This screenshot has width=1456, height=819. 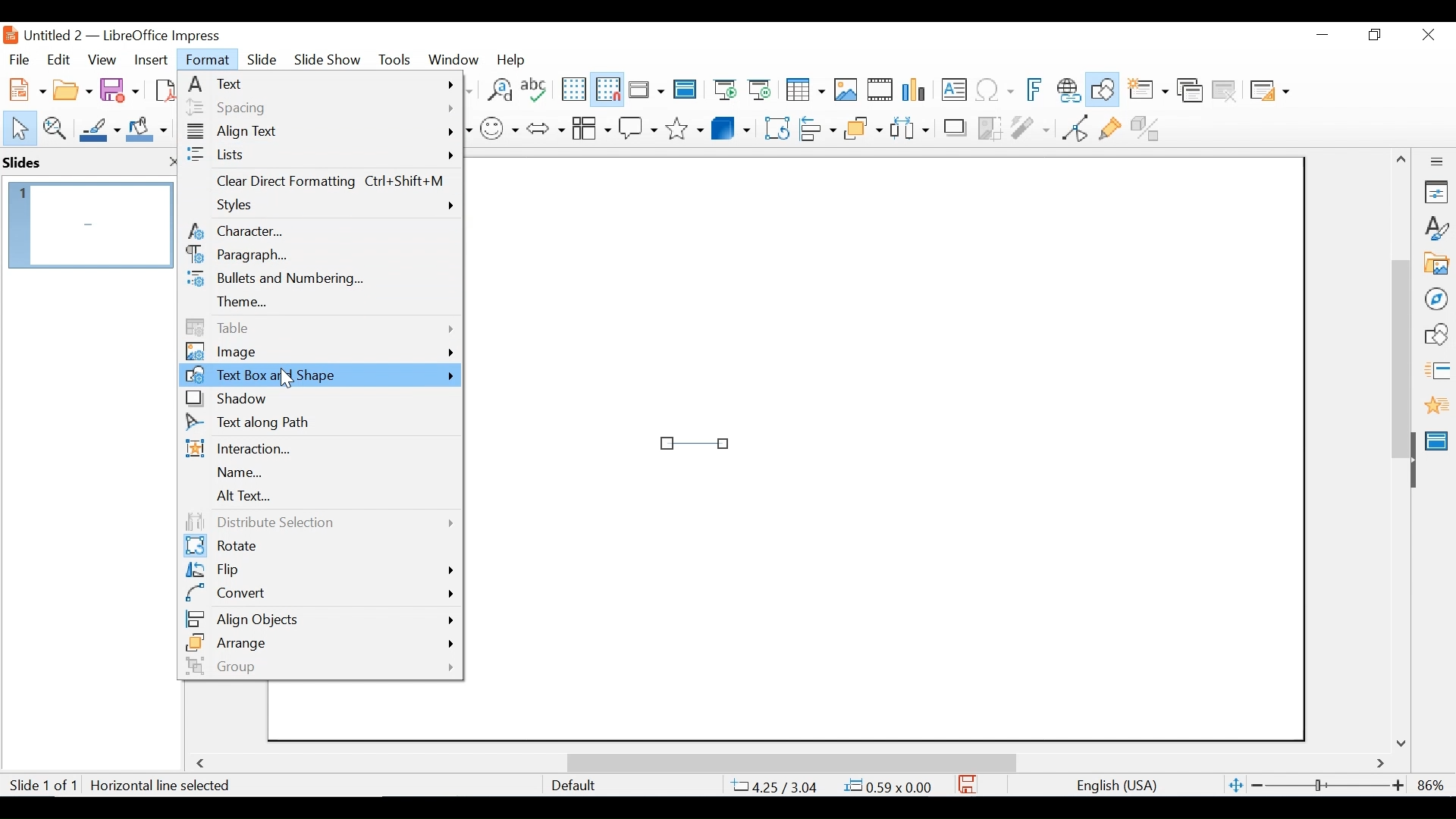 I want to click on Rotate, so click(x=317, y=547).